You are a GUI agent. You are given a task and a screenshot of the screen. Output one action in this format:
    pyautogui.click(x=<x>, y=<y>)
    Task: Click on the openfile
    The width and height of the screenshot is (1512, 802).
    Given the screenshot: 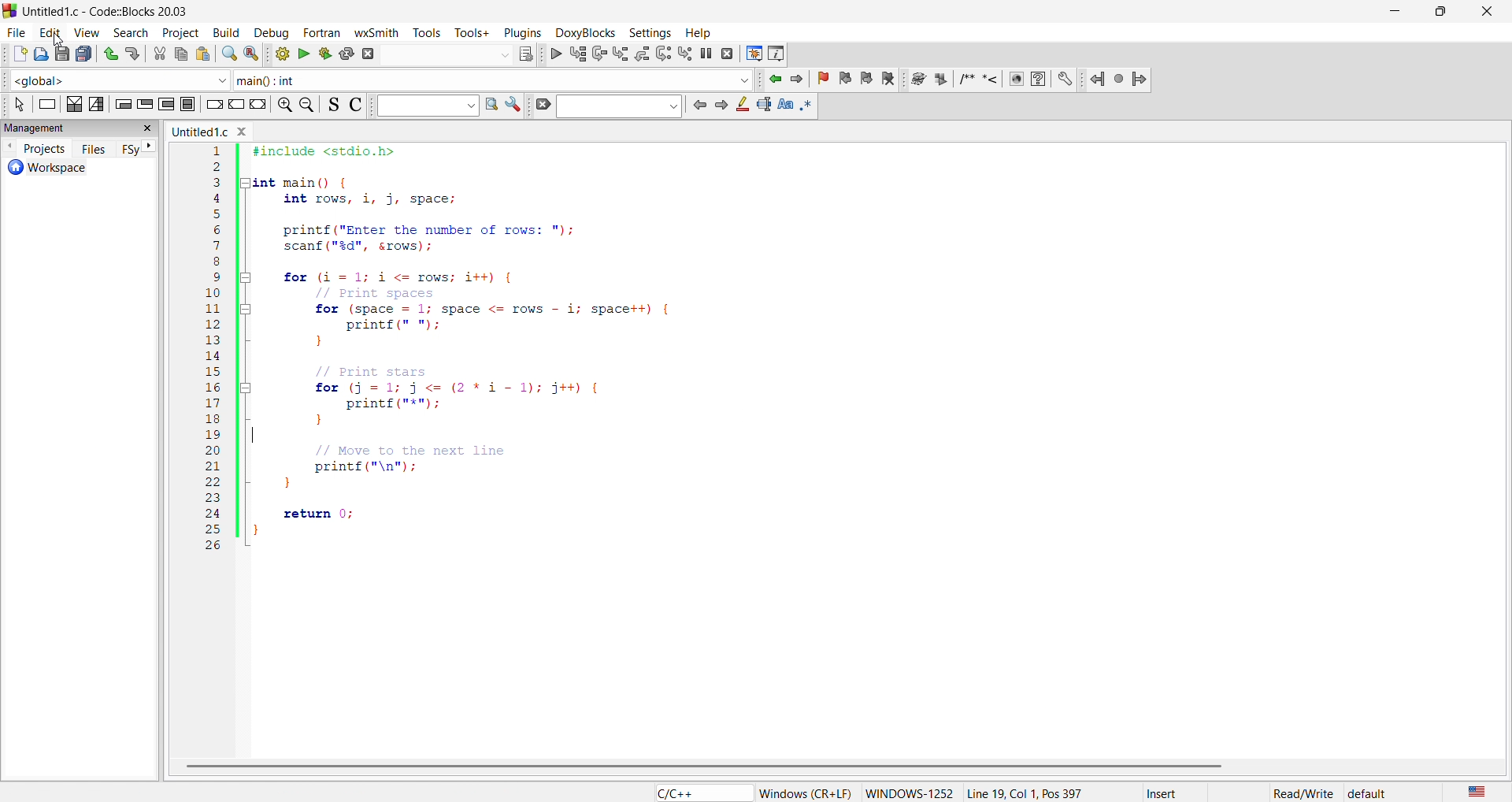 What is the action you would take?
    pyautogui.click(x=37, y=55)
    